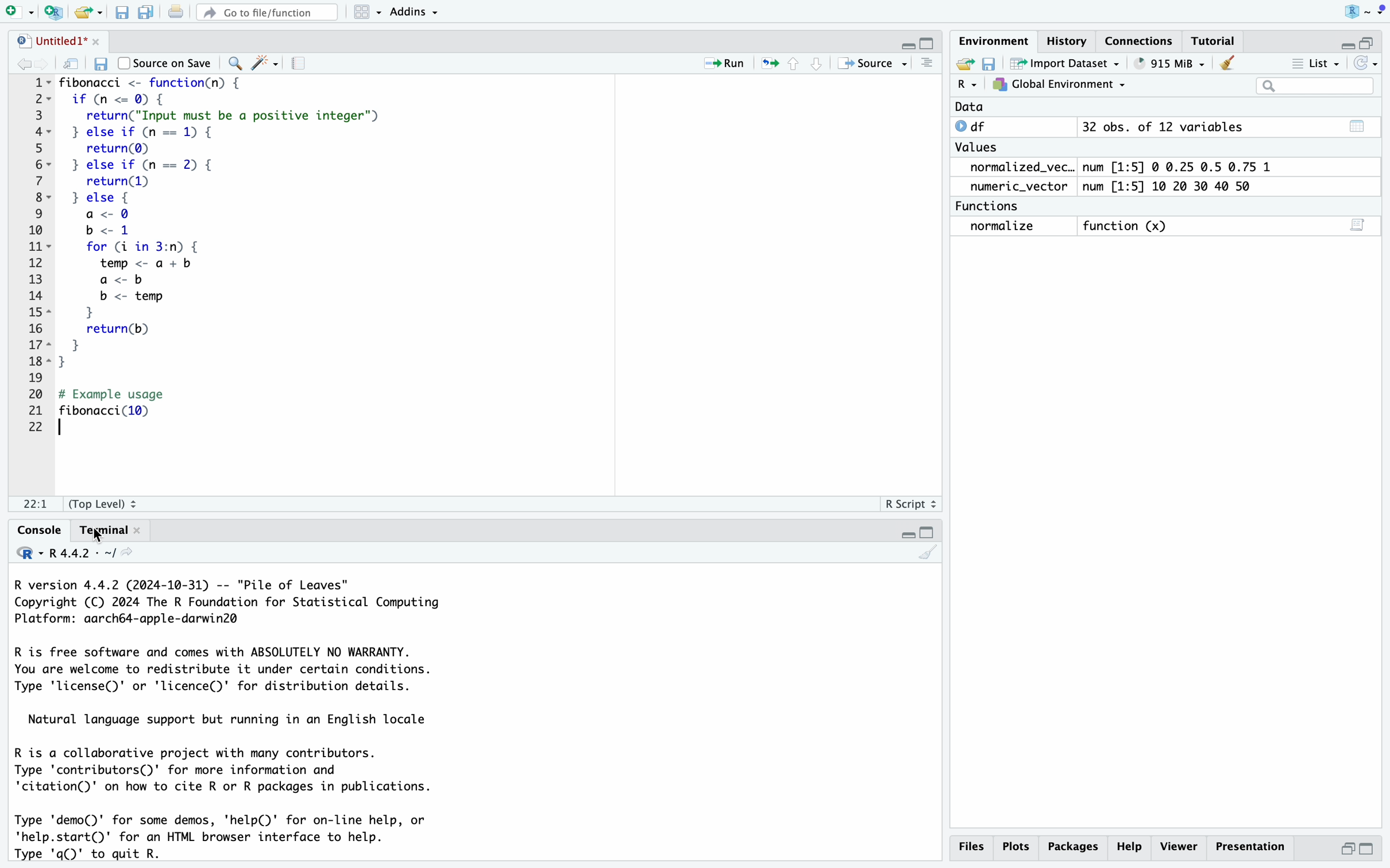 The image size is (1390, 868). Describe the element at coordinates (298, 64) in the screenshot. I see `compile report` at that location.